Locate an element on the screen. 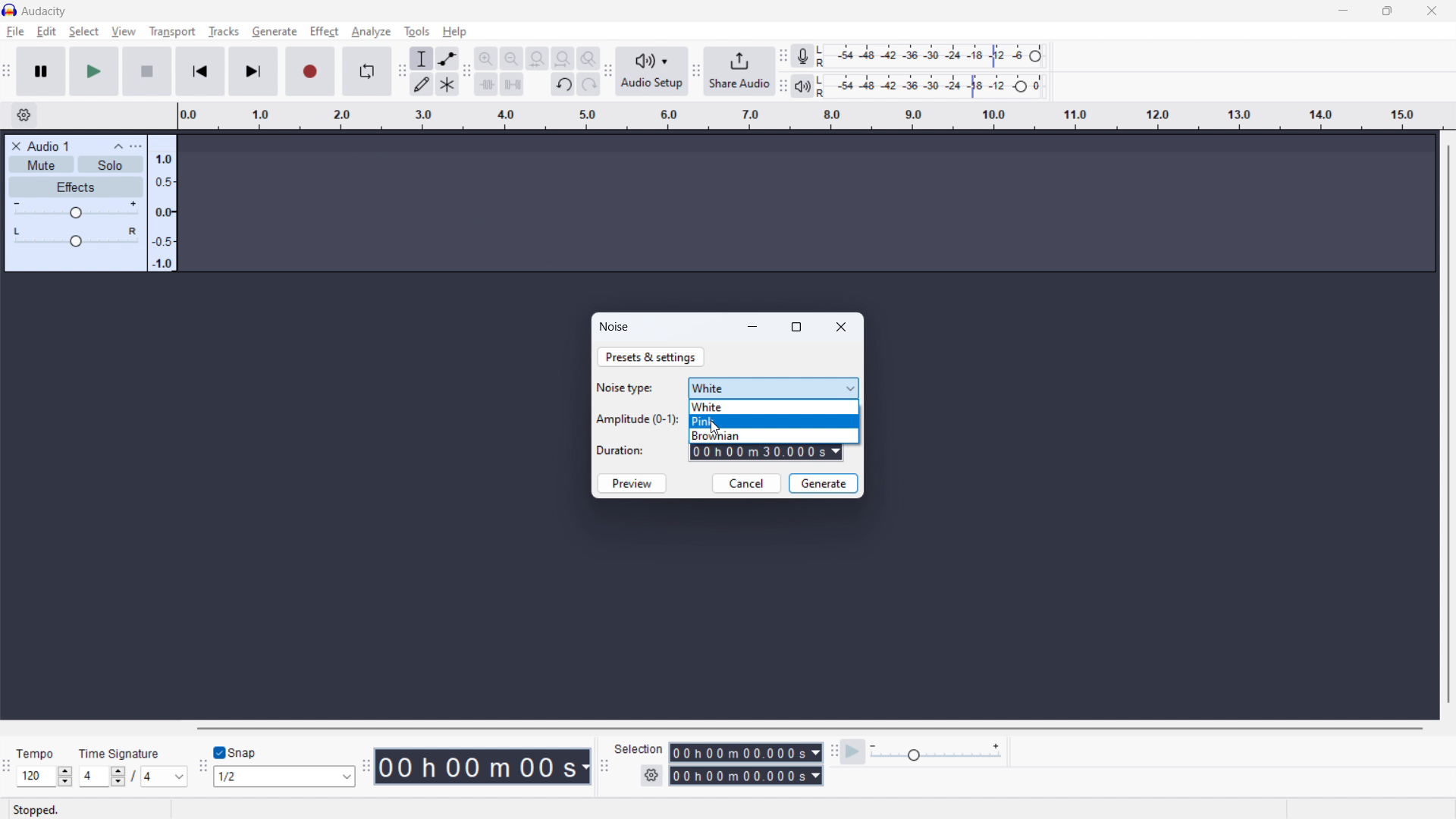 The height and width of the screenshot is (819, 1456). play at speed is located at coordinates (853, 752).